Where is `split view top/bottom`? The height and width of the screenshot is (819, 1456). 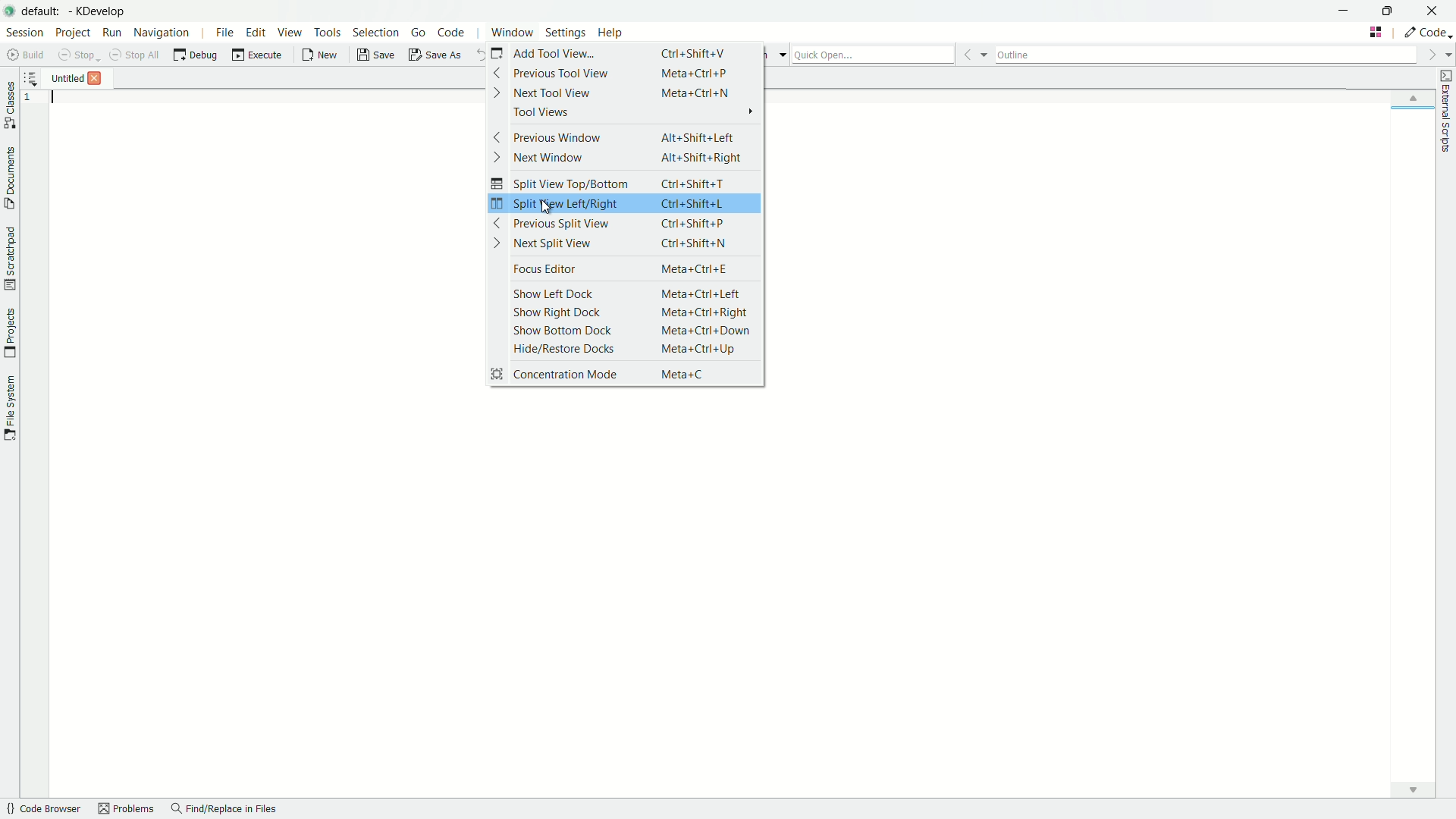 split view top/bottom is located at coordinates (562, 182).